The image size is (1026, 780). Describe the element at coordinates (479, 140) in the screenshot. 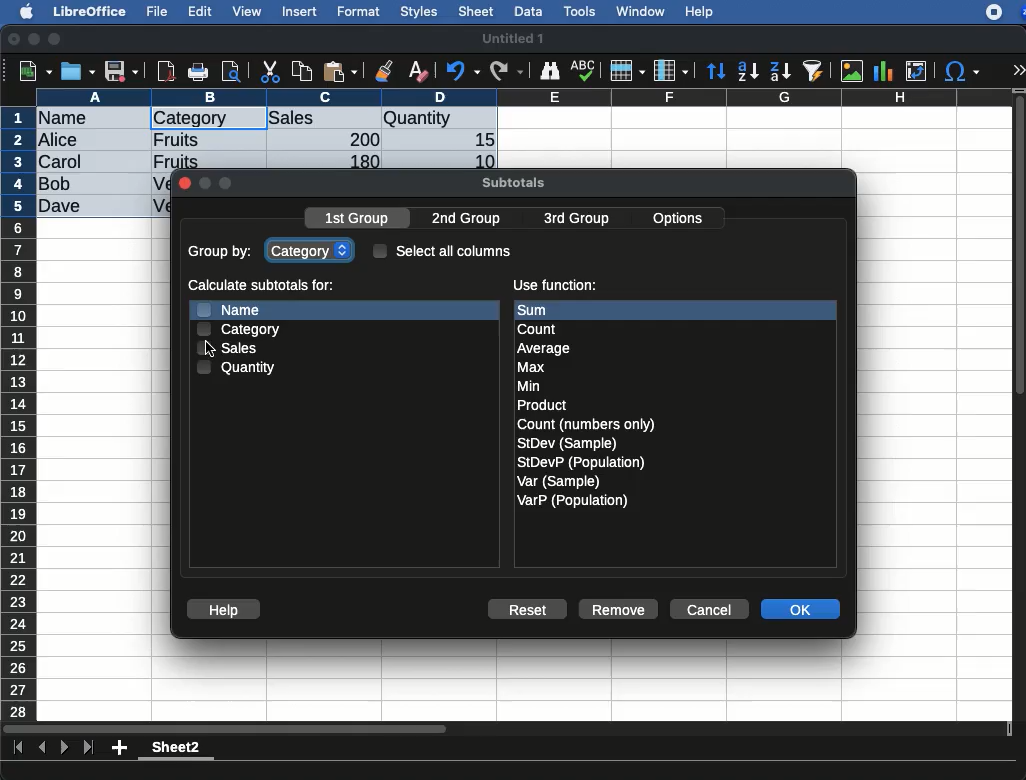

I see `15` at that location.